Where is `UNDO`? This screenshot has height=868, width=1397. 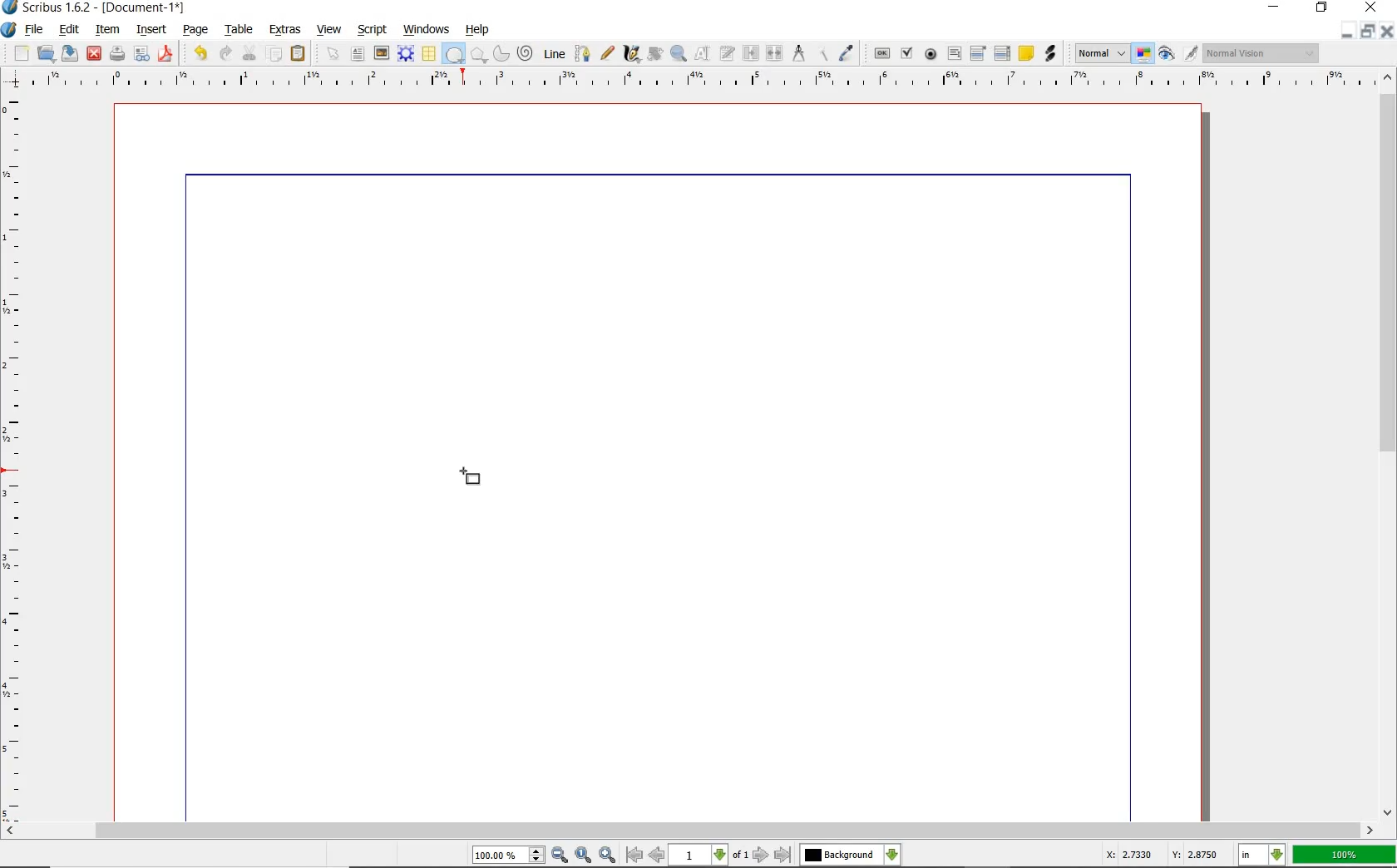
UNDO is located at coordinates (200, 53).